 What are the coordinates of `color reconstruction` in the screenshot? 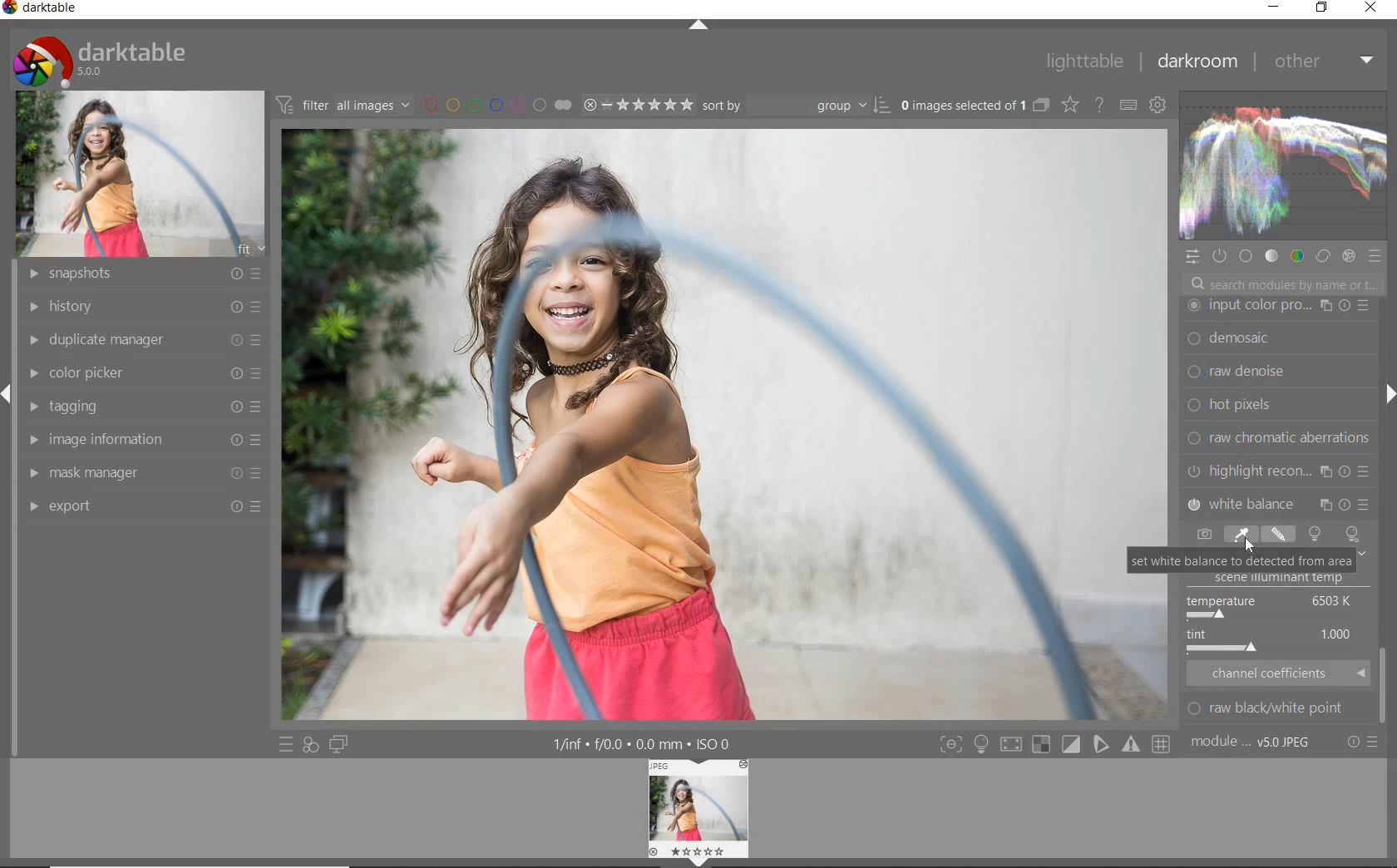 It's located at (1281, 437).